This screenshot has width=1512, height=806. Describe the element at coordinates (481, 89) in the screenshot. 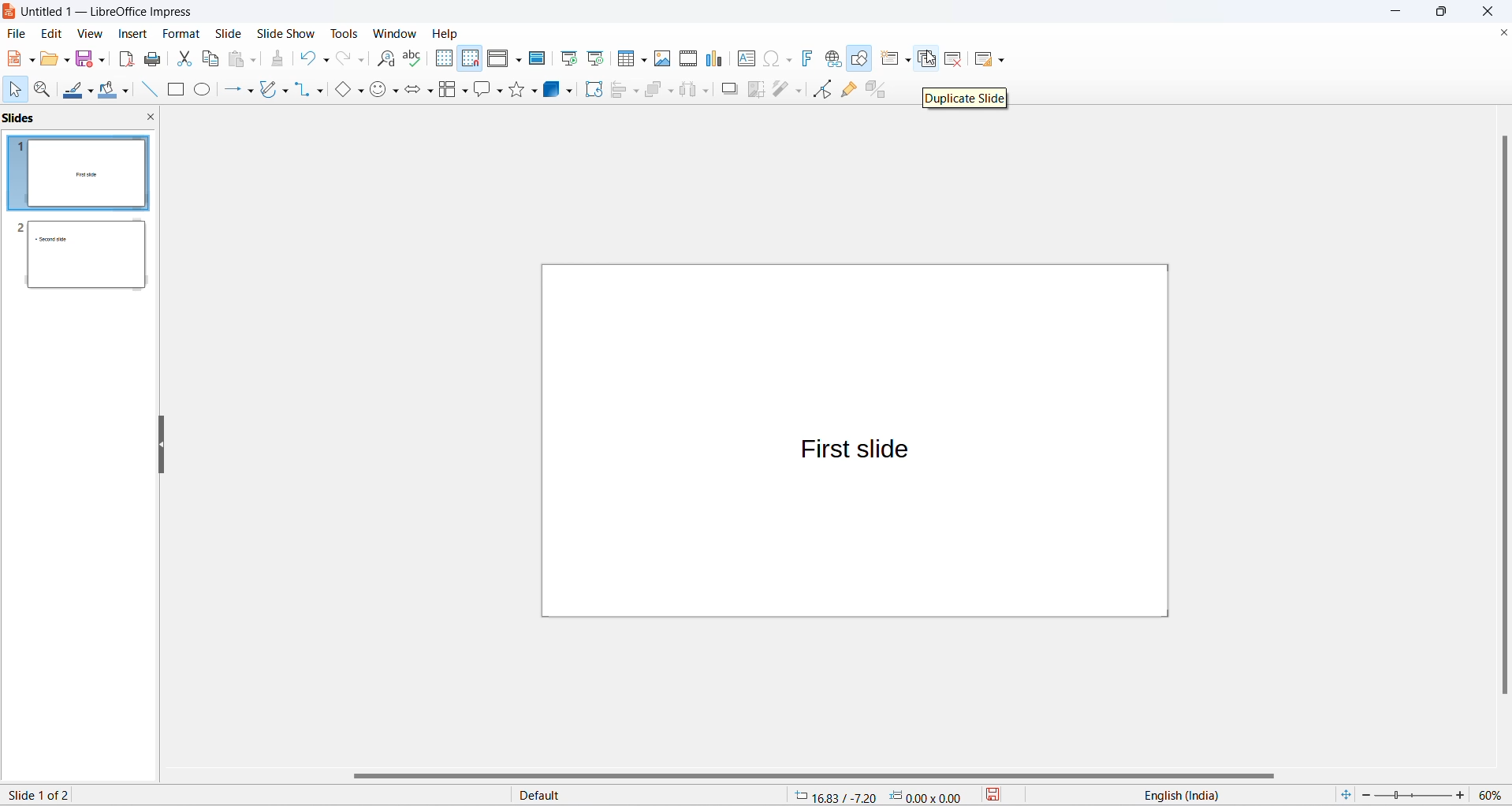

I see `callout shapes` at that location.